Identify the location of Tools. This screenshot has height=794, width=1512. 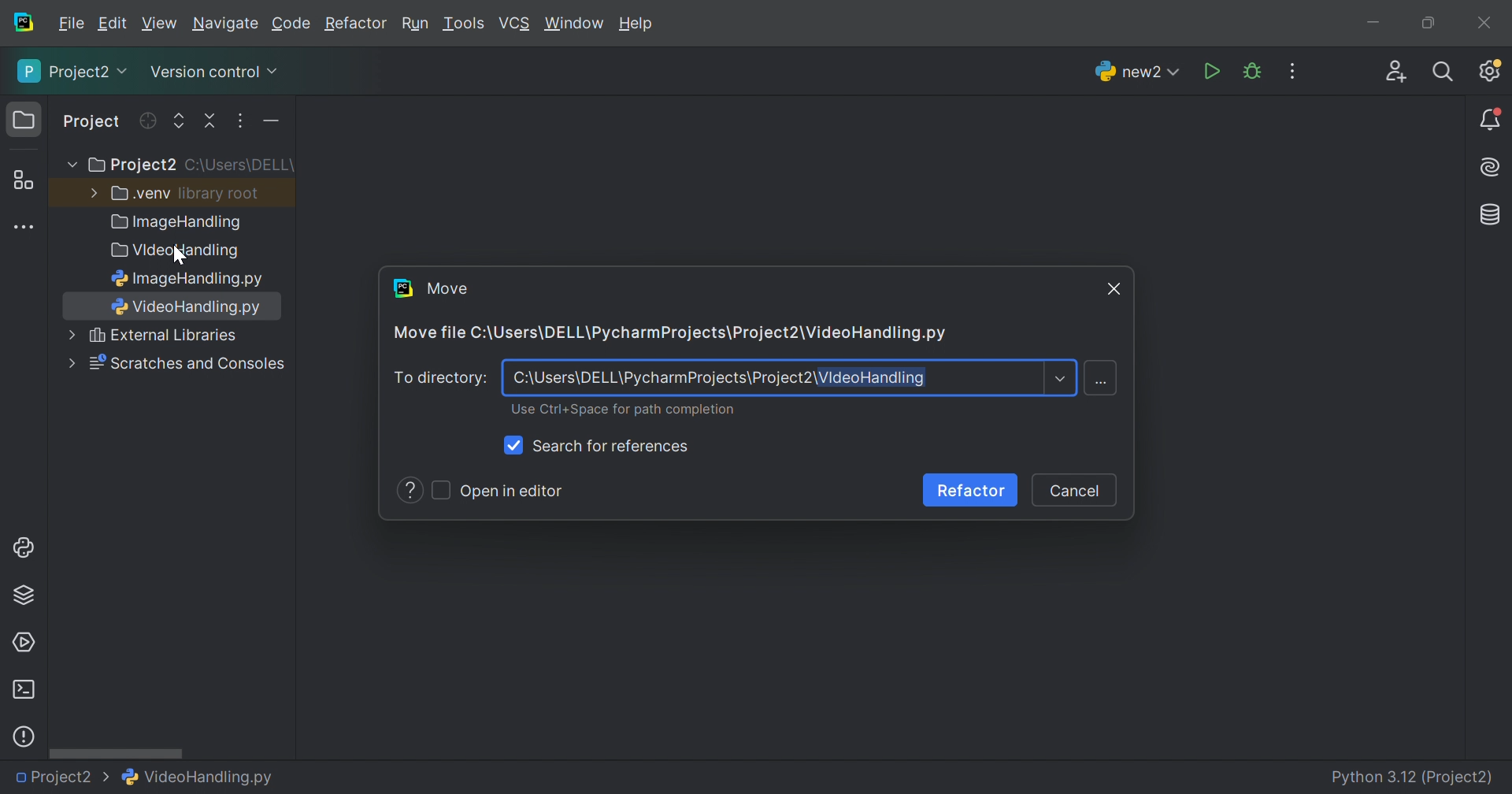
(462, 24).